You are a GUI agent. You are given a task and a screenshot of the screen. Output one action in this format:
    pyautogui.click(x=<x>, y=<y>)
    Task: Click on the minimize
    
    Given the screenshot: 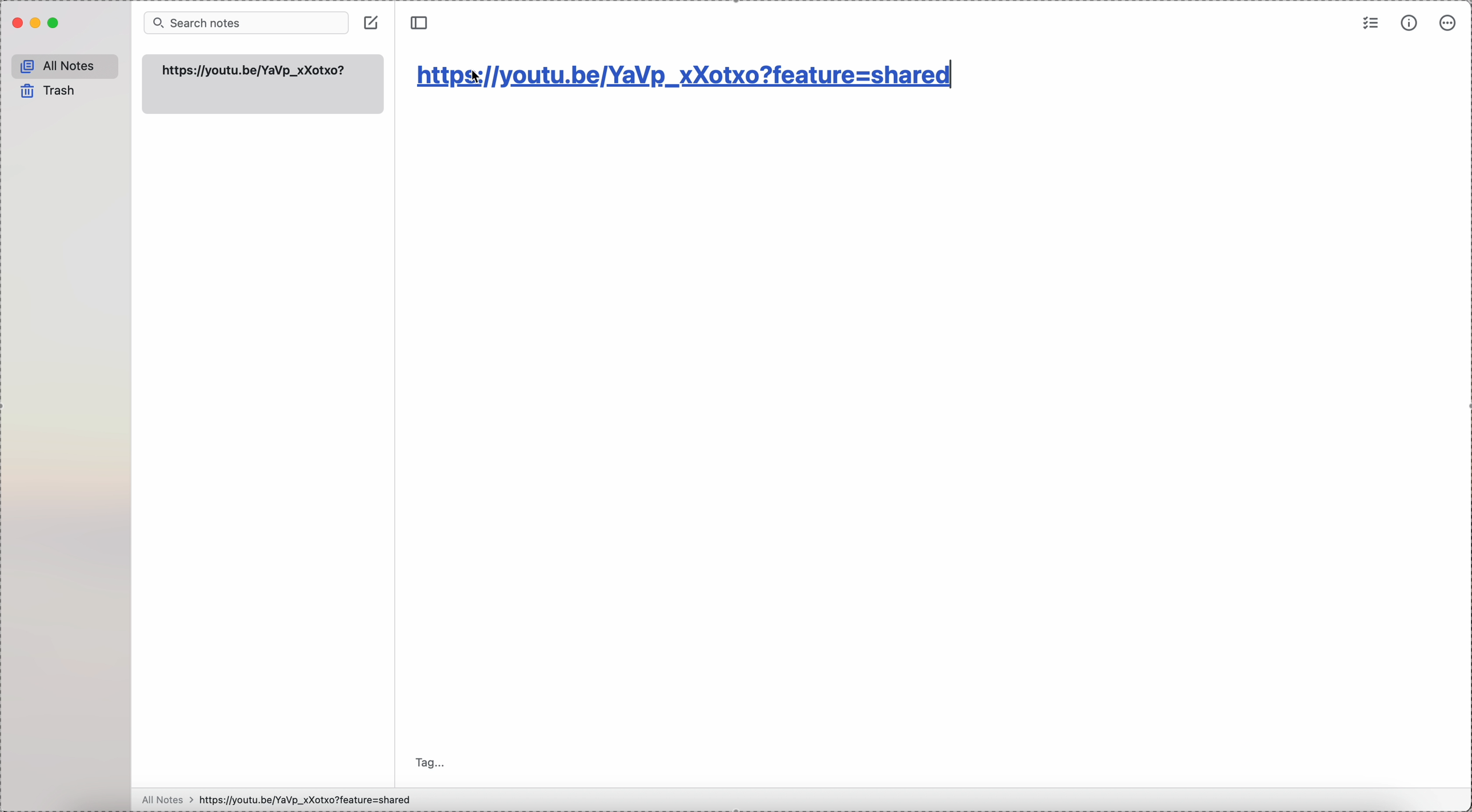 What is the action you would take?
    pyautogui.click(x=36, y=25)
    